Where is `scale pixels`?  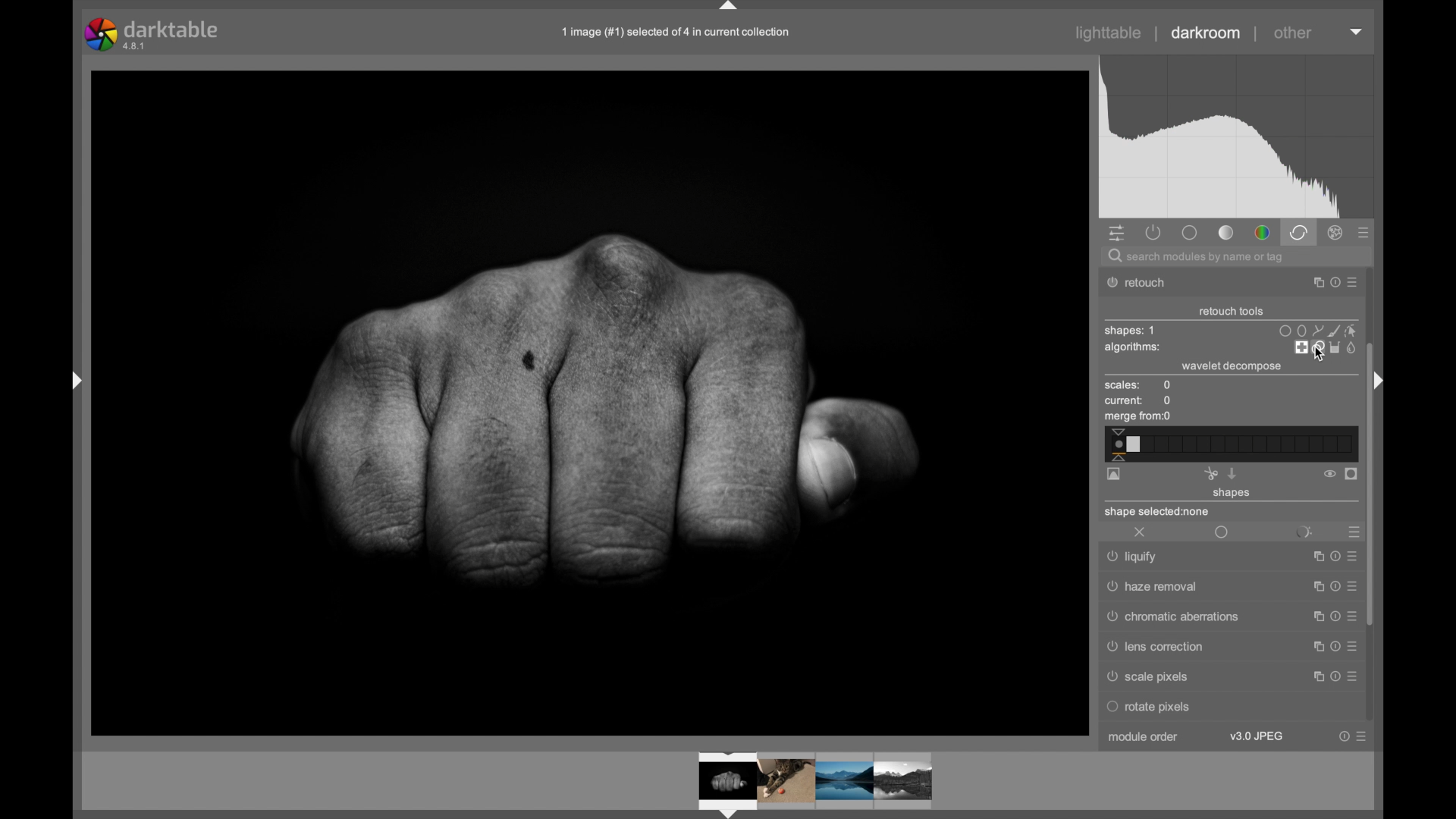 scale pixels is located at coordinates (1152, 677).